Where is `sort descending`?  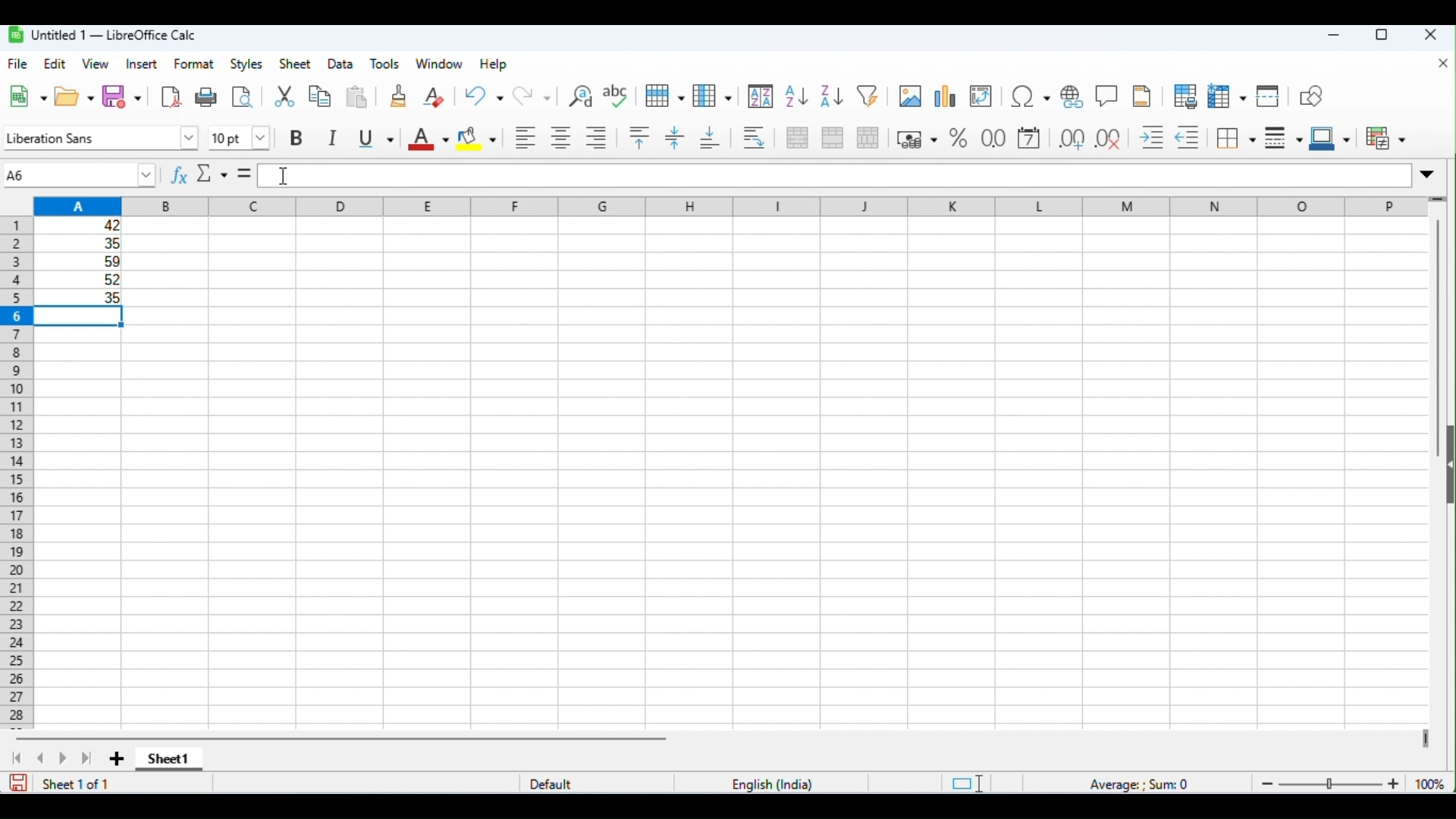
sort descending is located at coordinates (830, 96).